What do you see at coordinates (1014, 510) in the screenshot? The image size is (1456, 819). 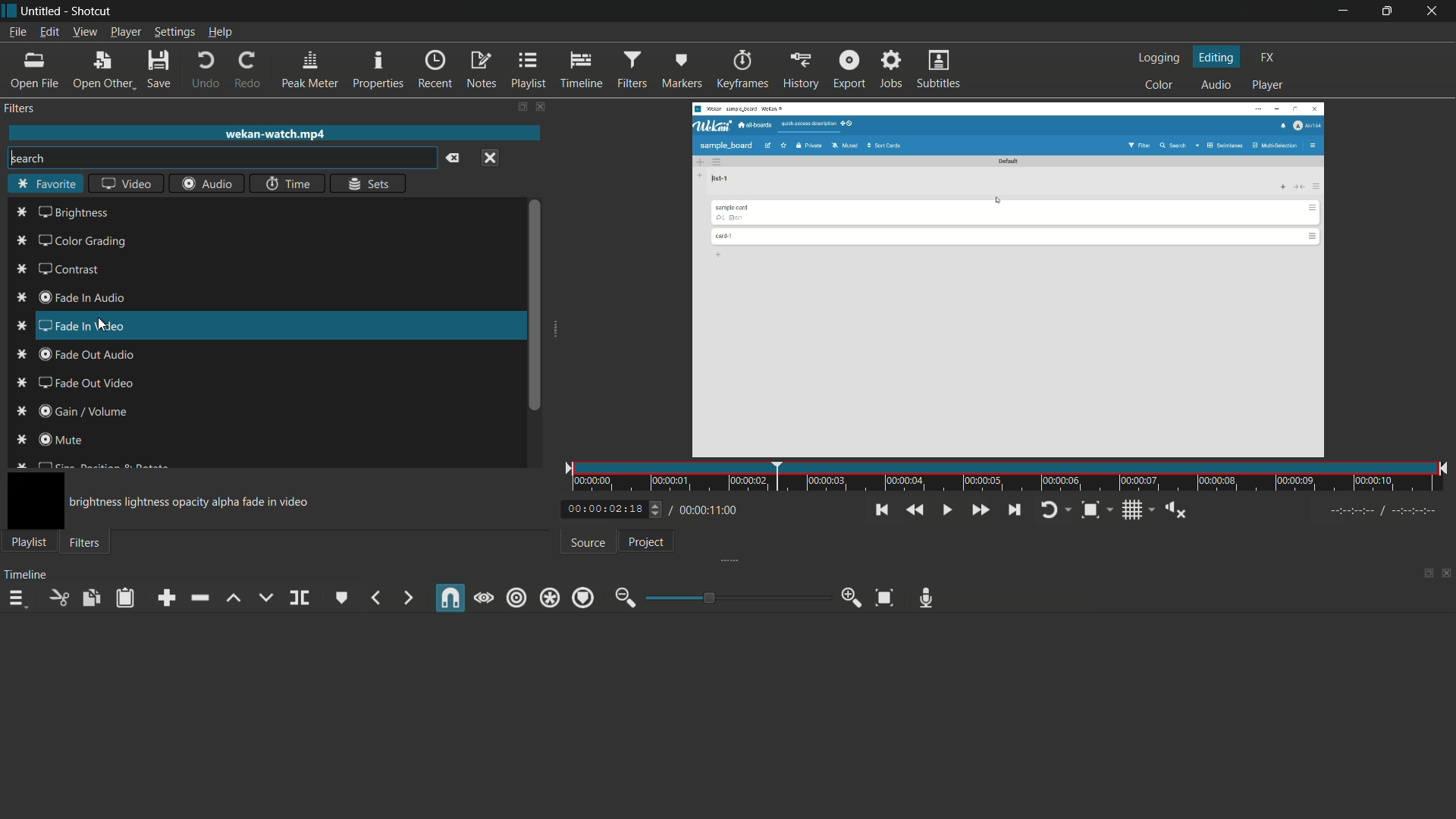 I see `skip to the next point` at bounding box center [1014, 510].